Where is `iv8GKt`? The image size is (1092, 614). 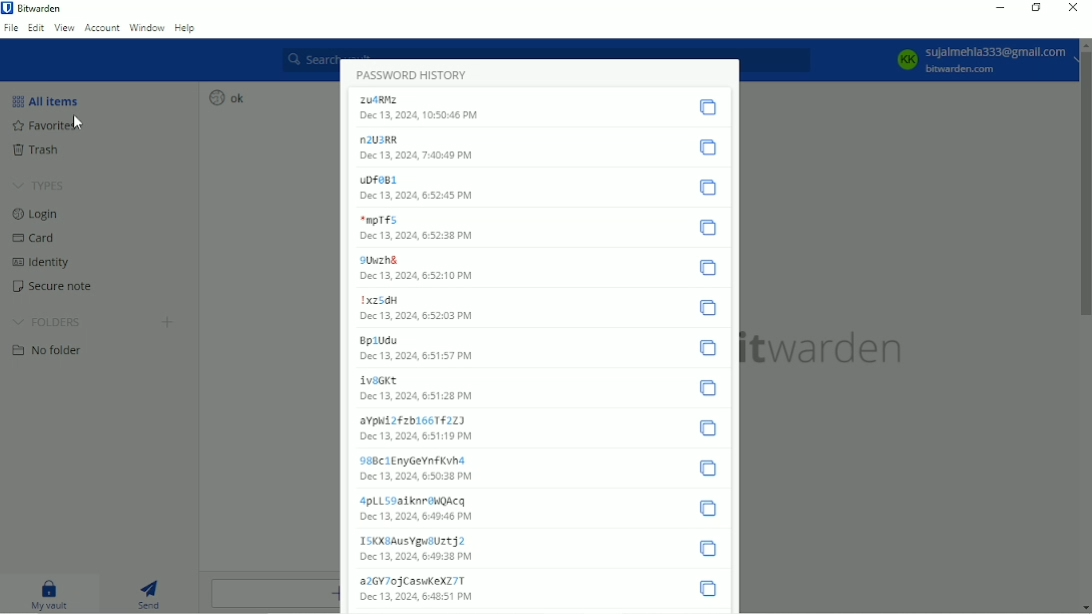
iv8GKt is located at coordinates (378, 379).